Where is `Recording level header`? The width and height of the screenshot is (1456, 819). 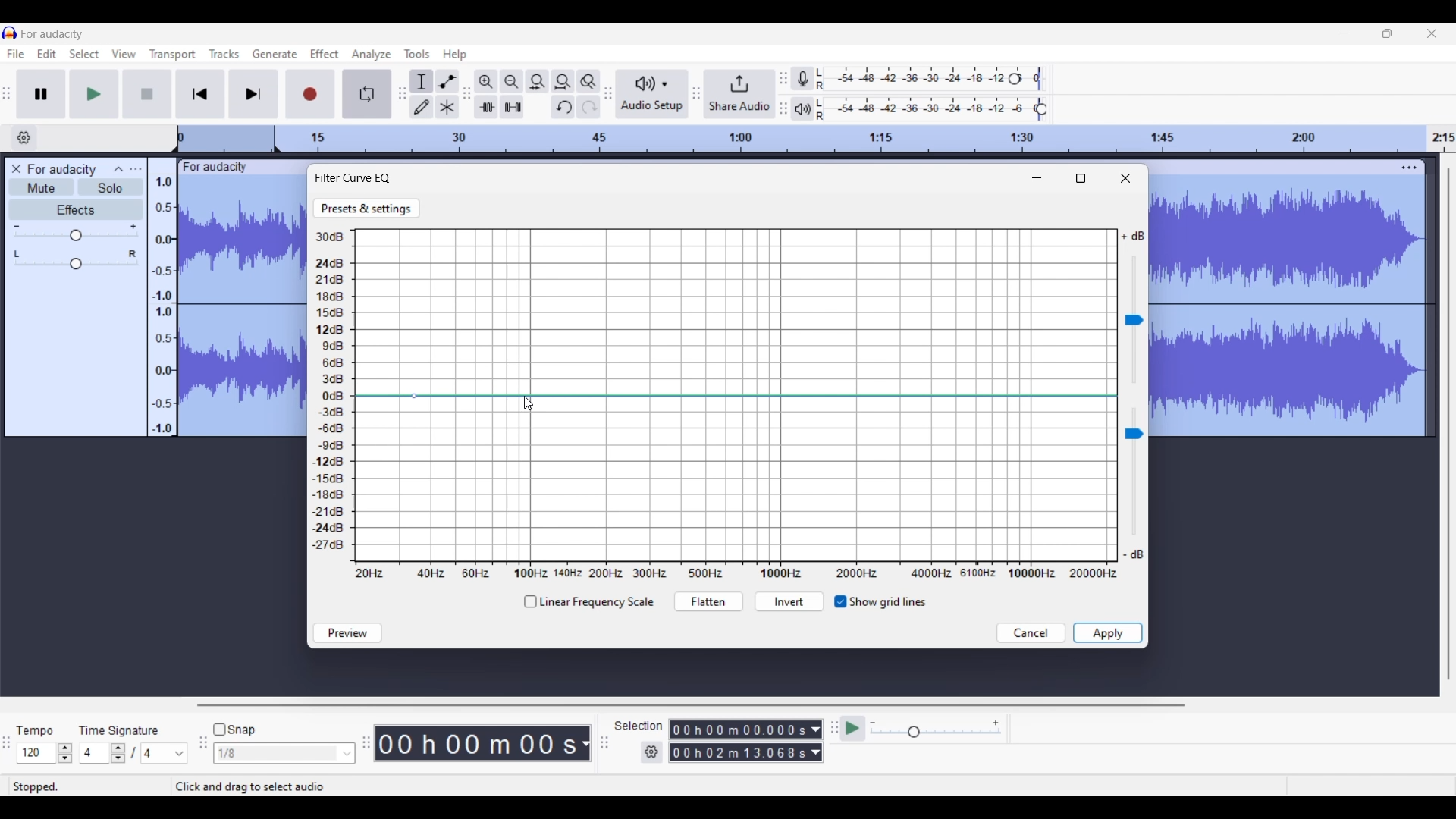
Recording level header is located at coordinates (1015, 79).